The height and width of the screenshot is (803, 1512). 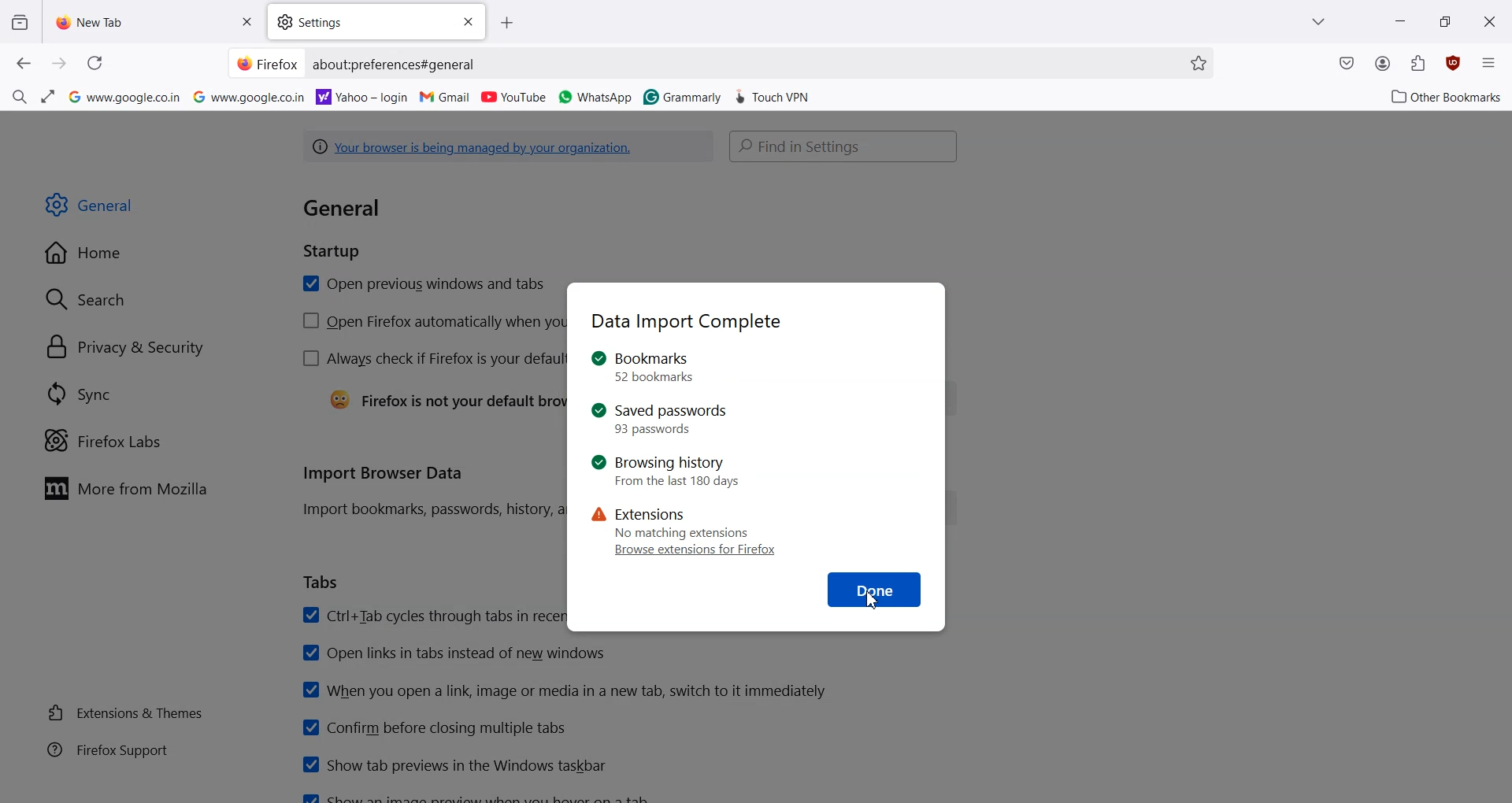 I want to click on Open previous windows and tabs, so click(x=422, y=284).